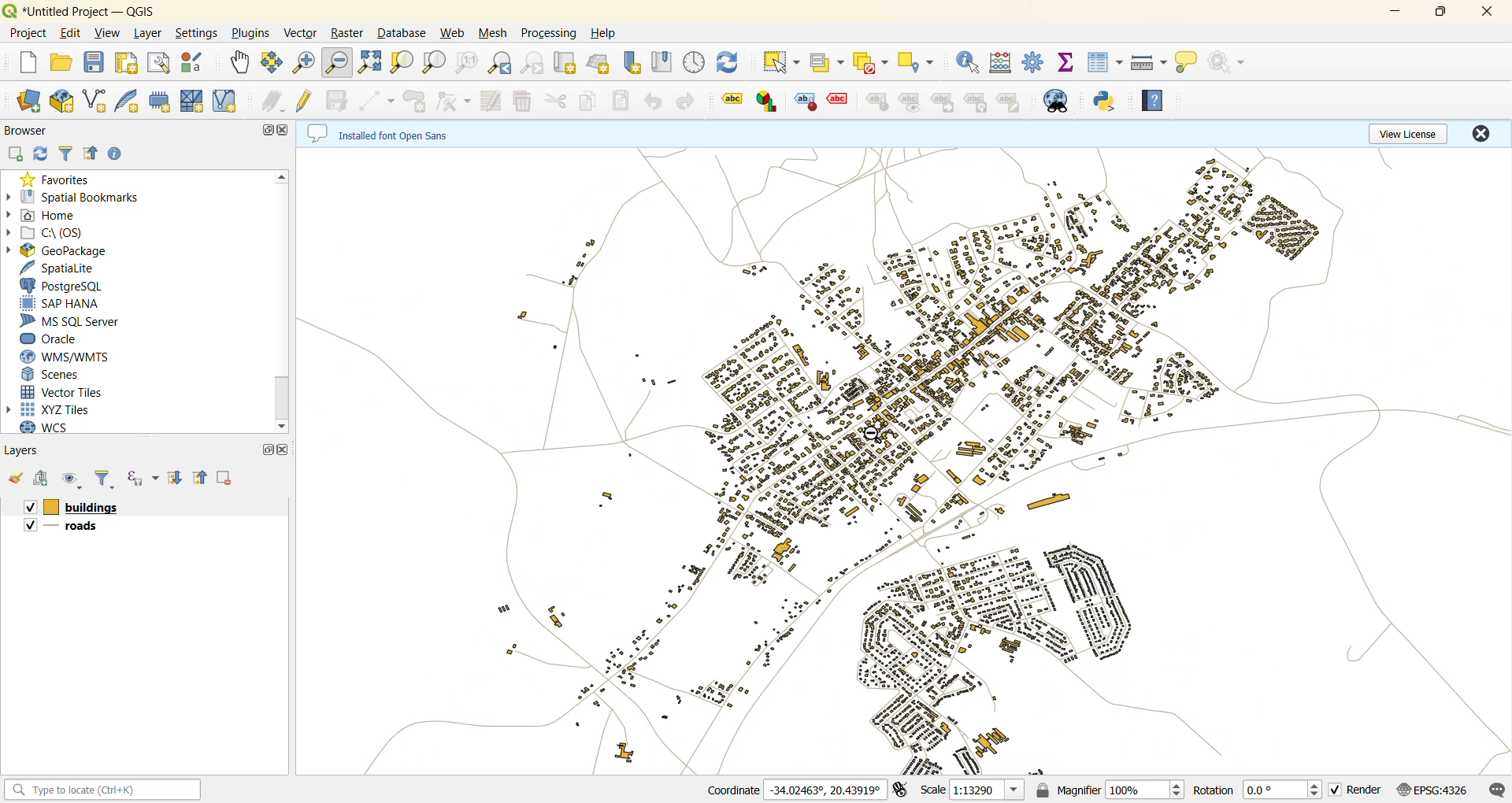 The height and width of the screenshot is (803, 1512). I want to click on expand all, so click(171, 479).